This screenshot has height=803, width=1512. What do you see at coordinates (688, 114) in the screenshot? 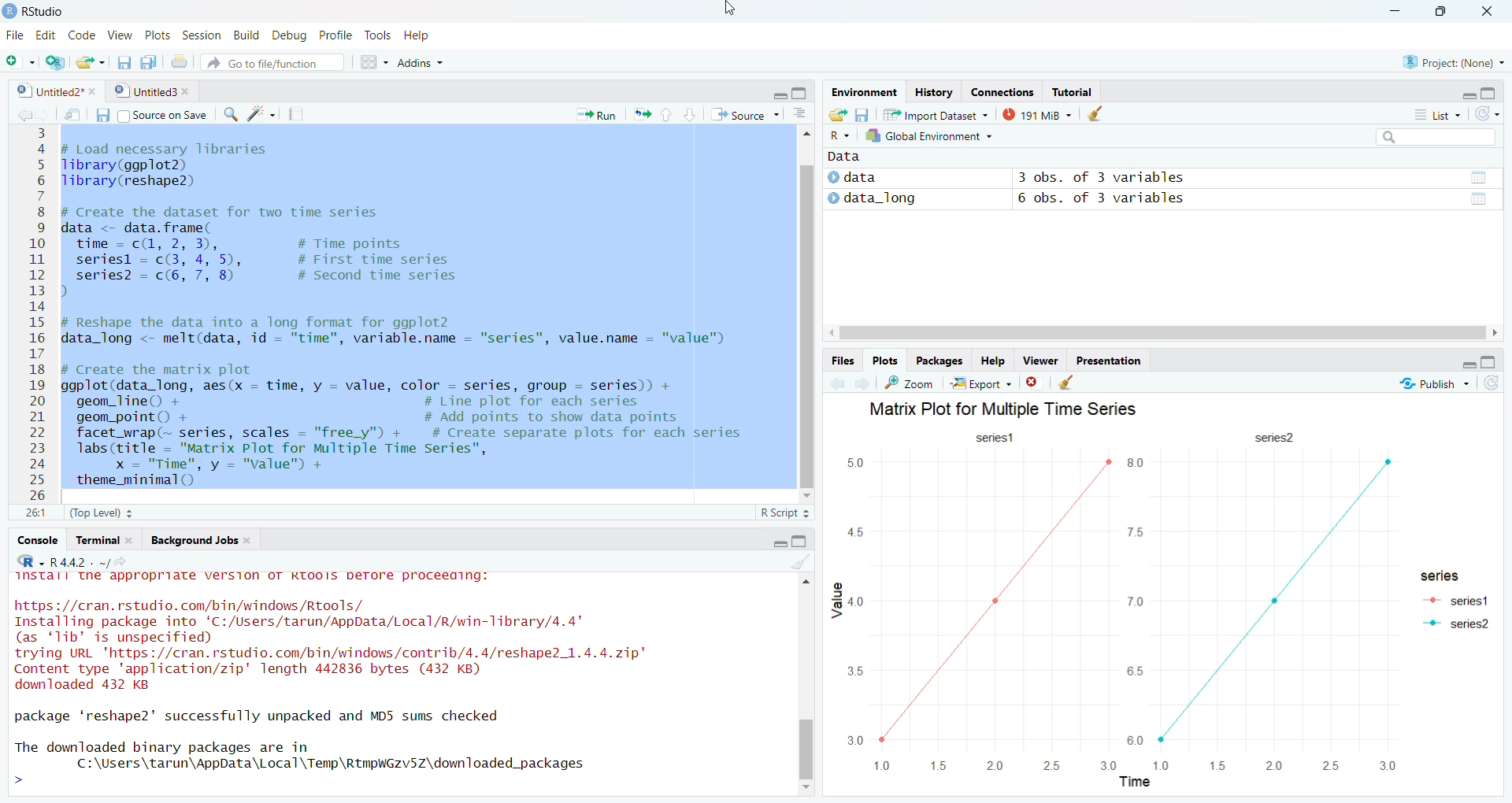
I see `down` at bounding box center [688, 114].